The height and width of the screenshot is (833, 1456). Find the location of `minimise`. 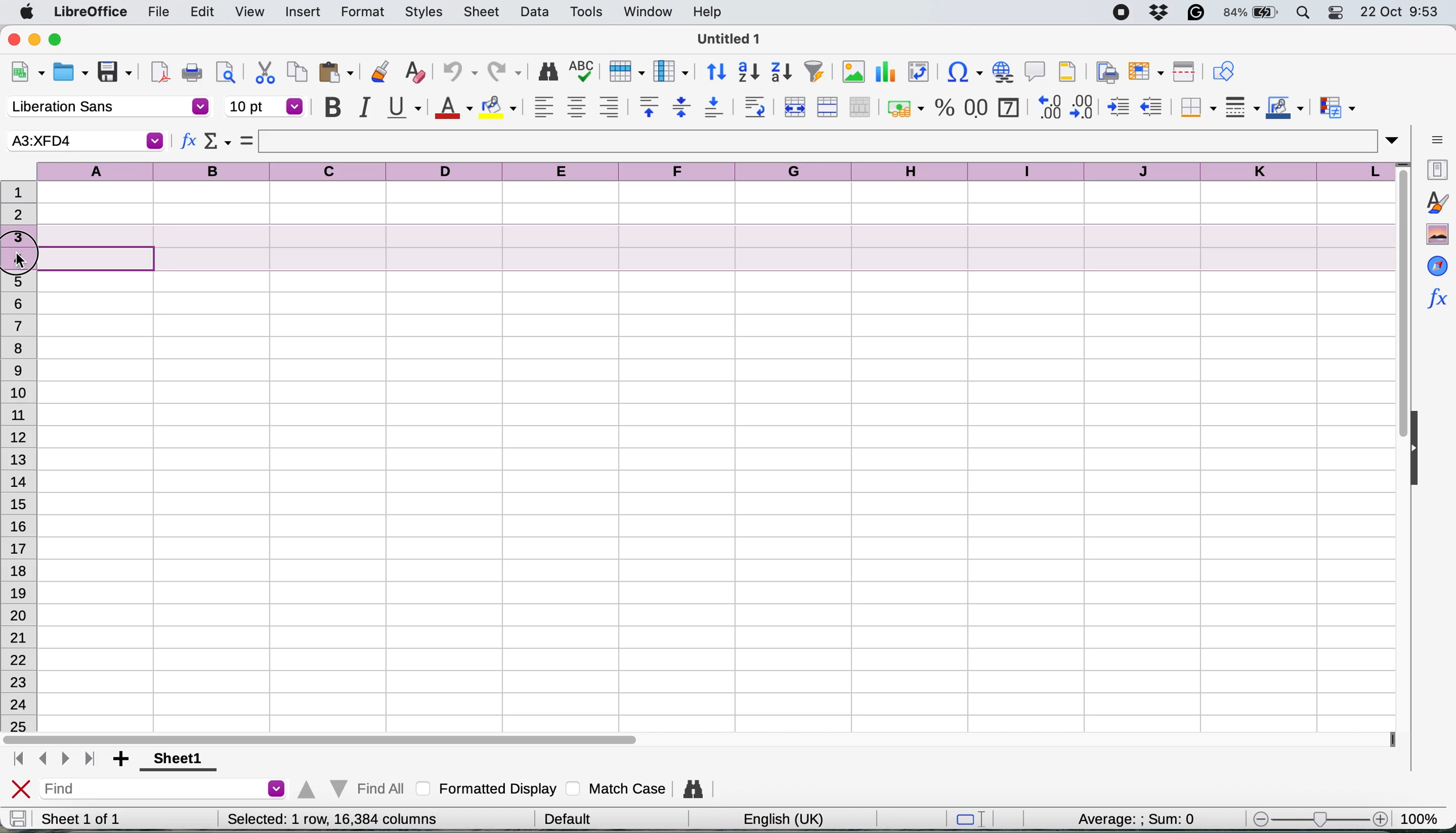

minimise is located at coordinates (36, 39).